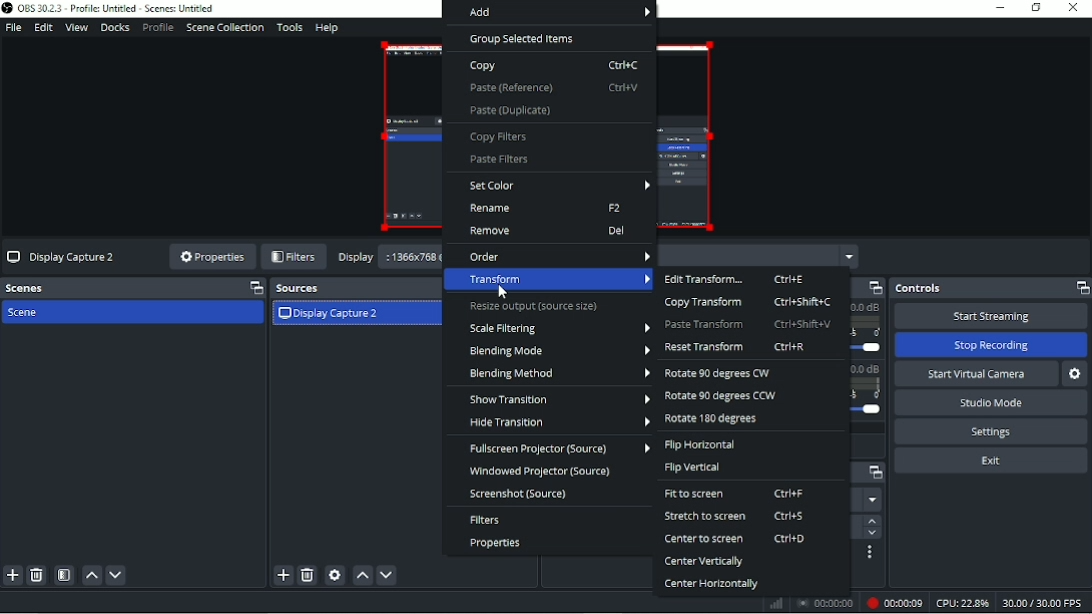  I want to click on Paste (Reference), so click(553, 87).